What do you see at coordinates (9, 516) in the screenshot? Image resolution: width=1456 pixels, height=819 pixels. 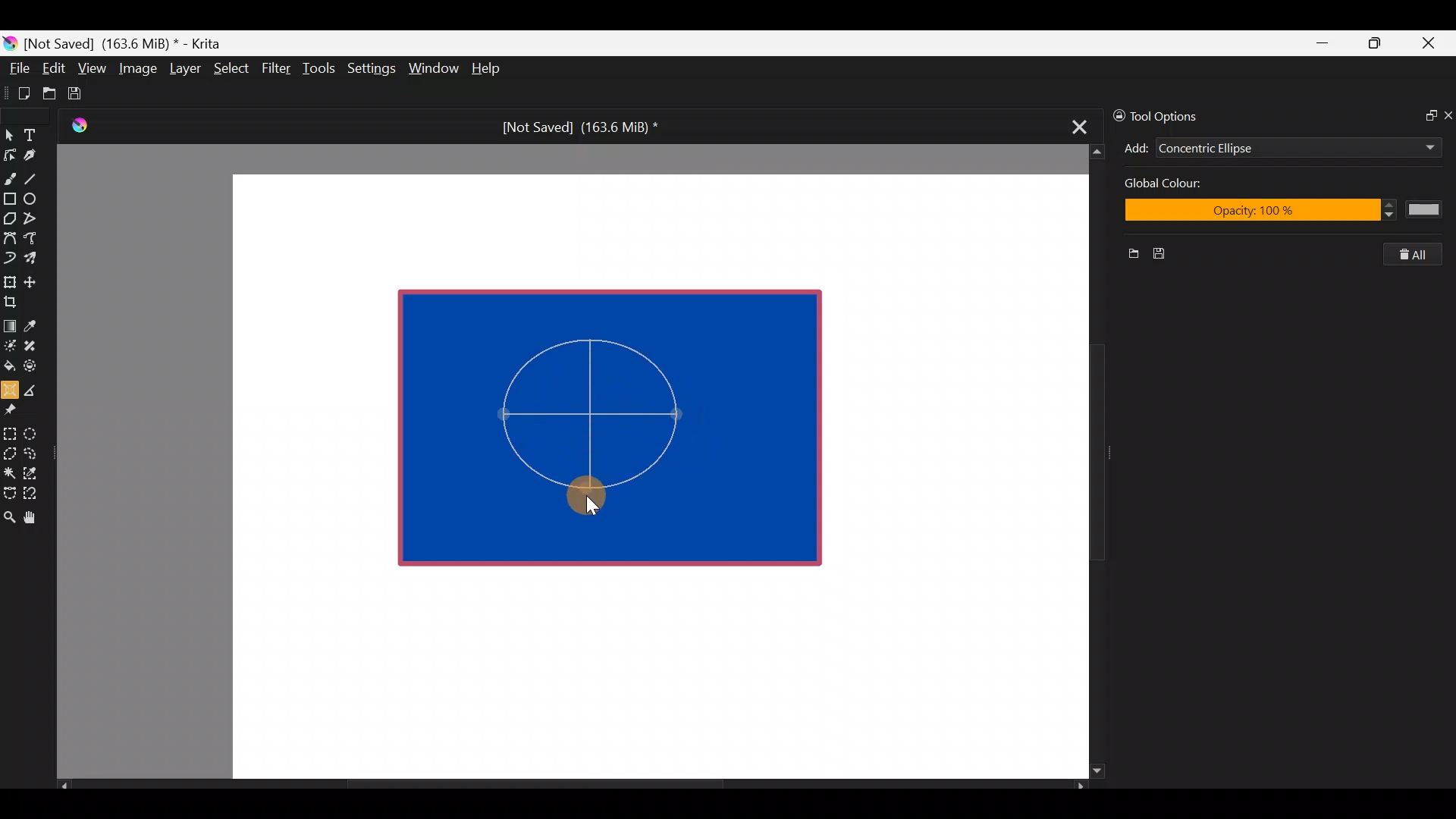 I see `Zoom tool` at bounding box center [9, 516].